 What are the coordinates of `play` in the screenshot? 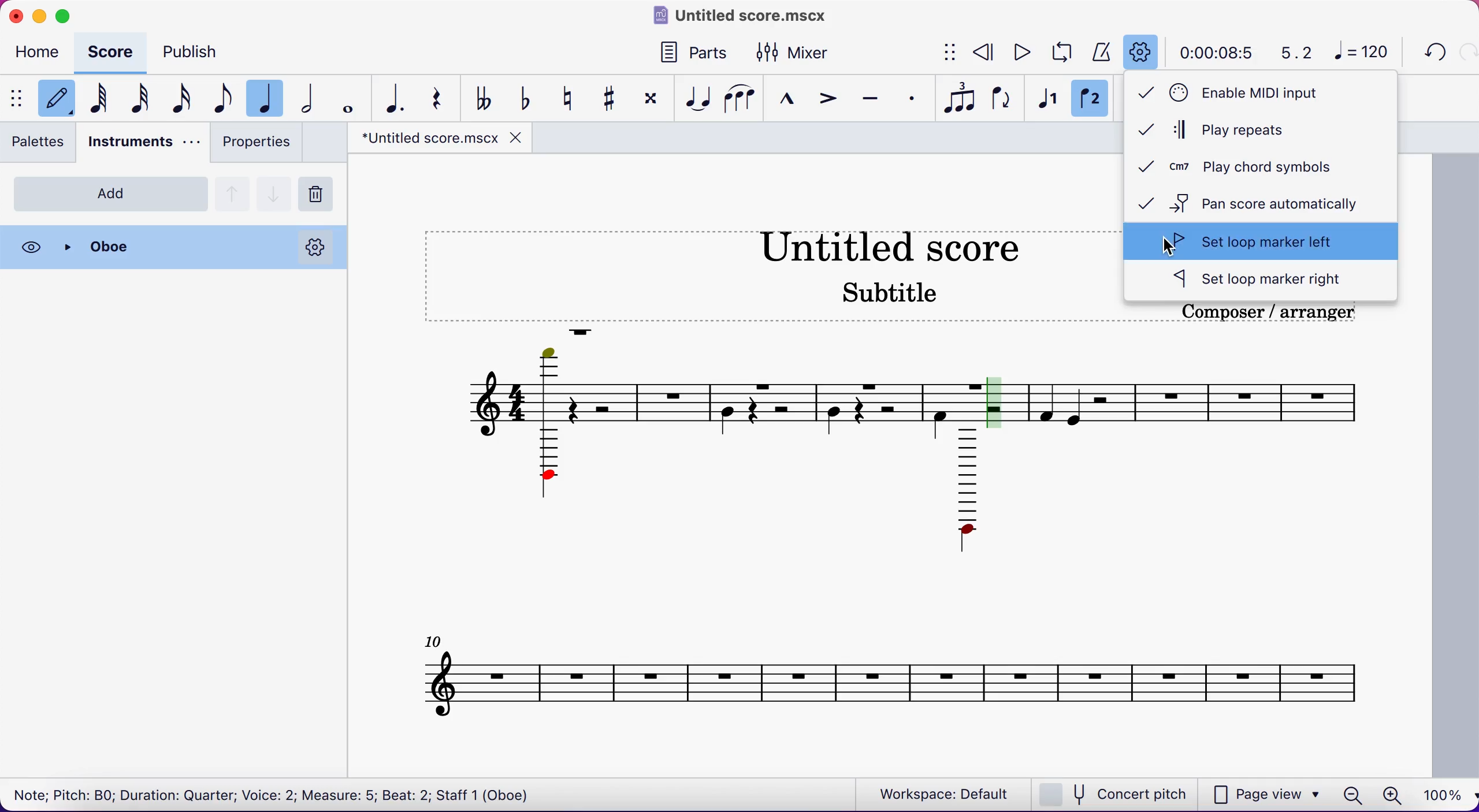 It's located at (1021, 51).